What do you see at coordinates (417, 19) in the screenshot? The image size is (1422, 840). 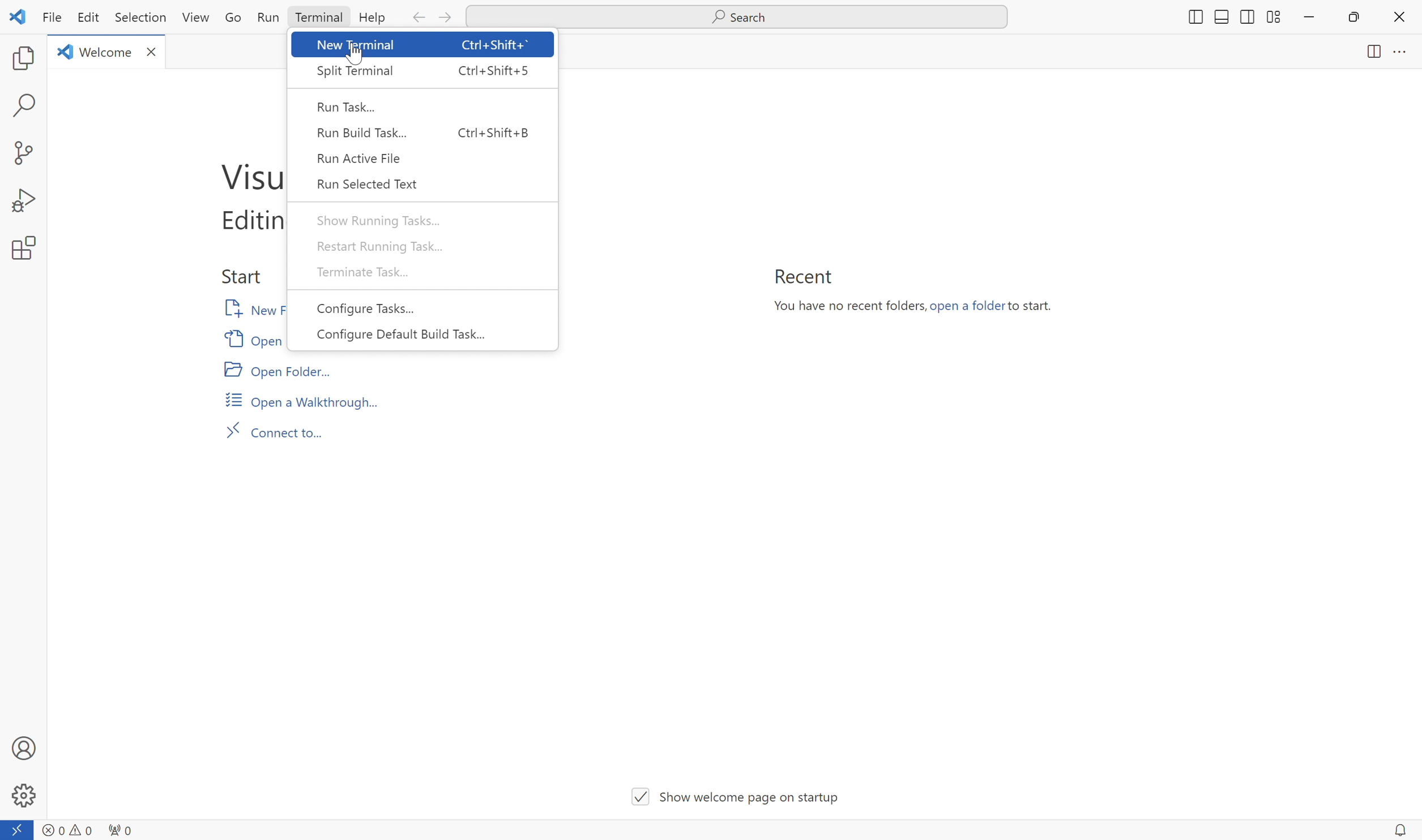 I see `back` at bounding box center [417, 19].